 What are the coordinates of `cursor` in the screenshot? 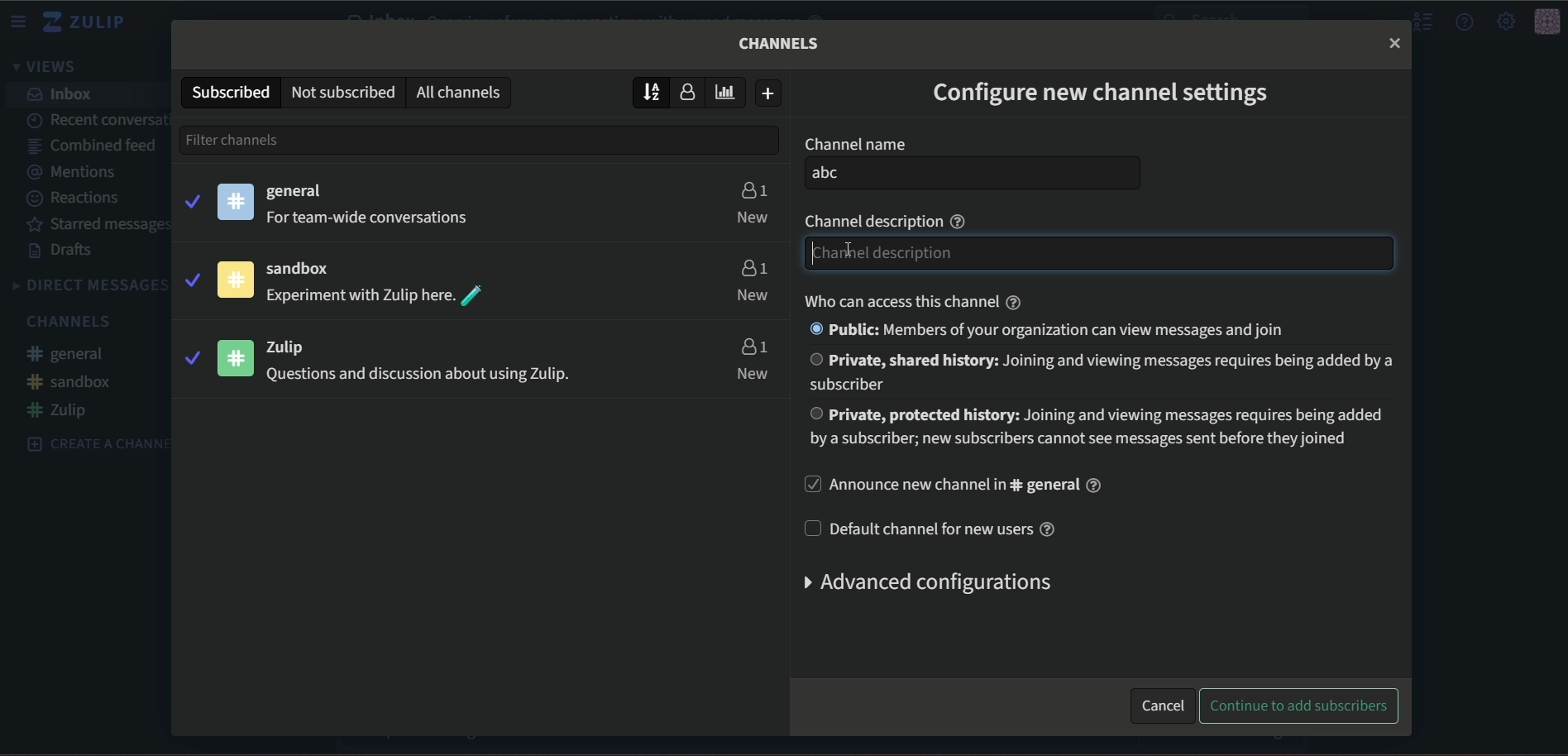 It's located at (824, 256).